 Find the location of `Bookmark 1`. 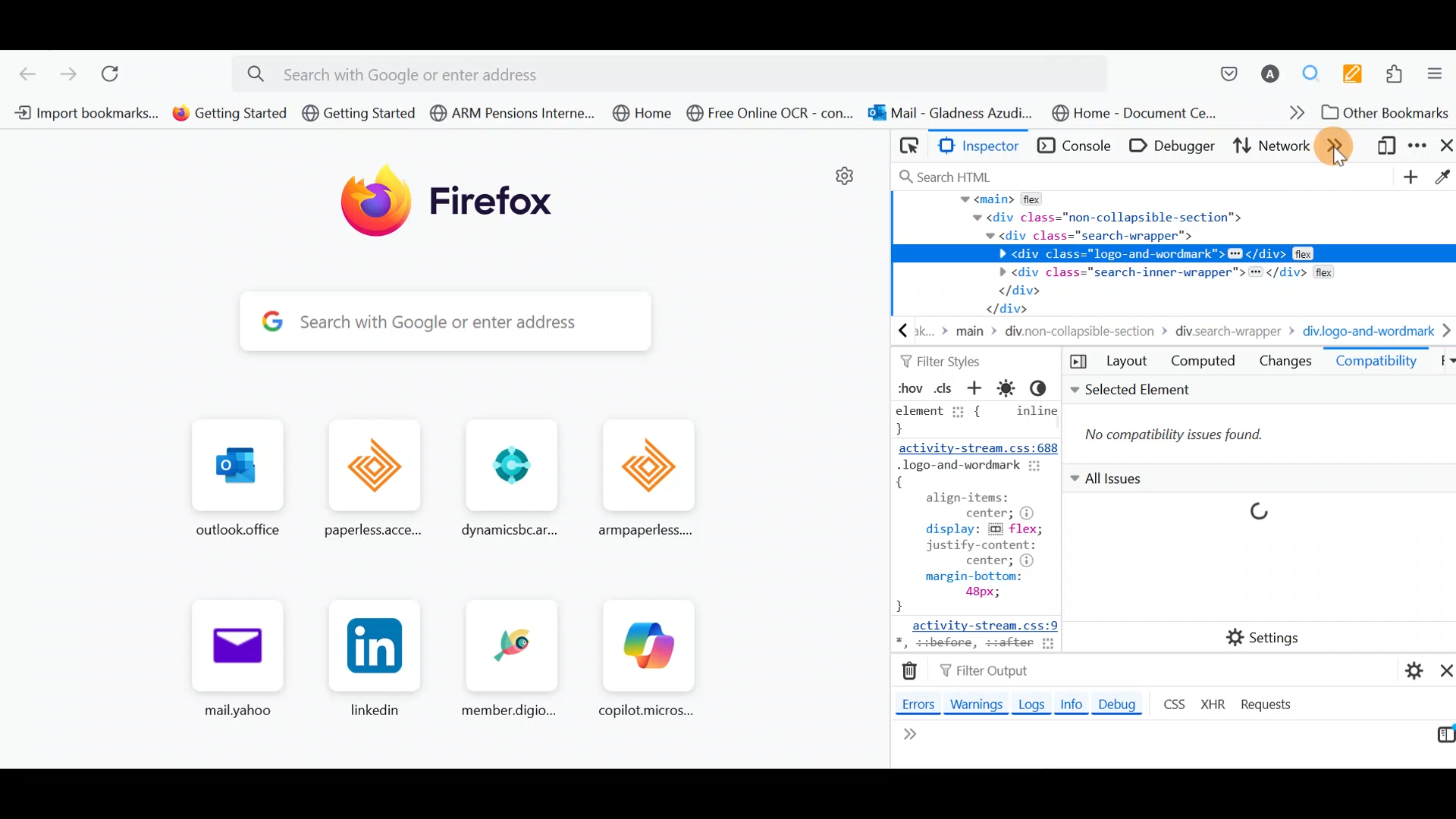

Bookmark 1 is located at coordinates (81, 111).